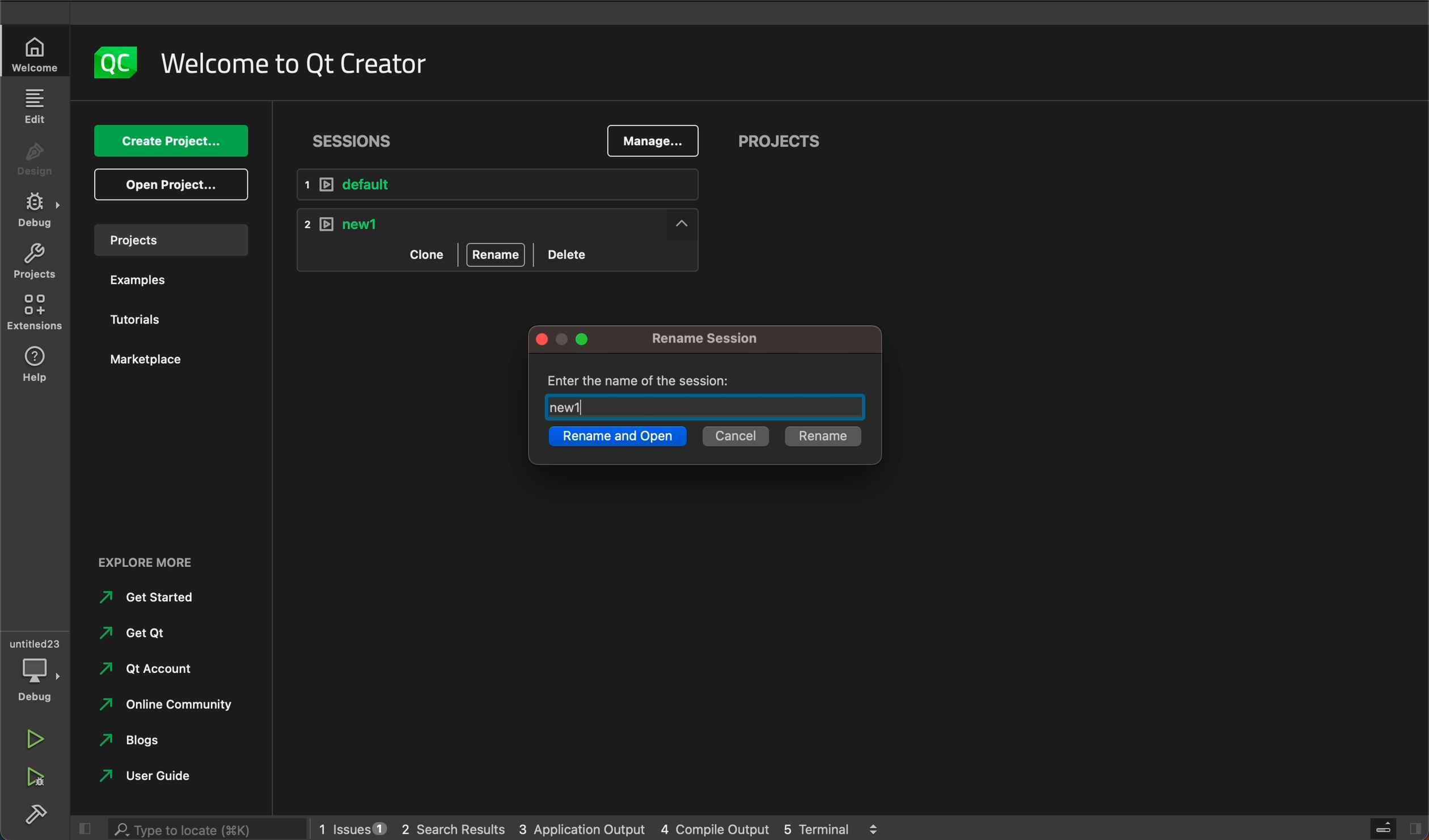  I want to click on NEW, so click(504, 223).